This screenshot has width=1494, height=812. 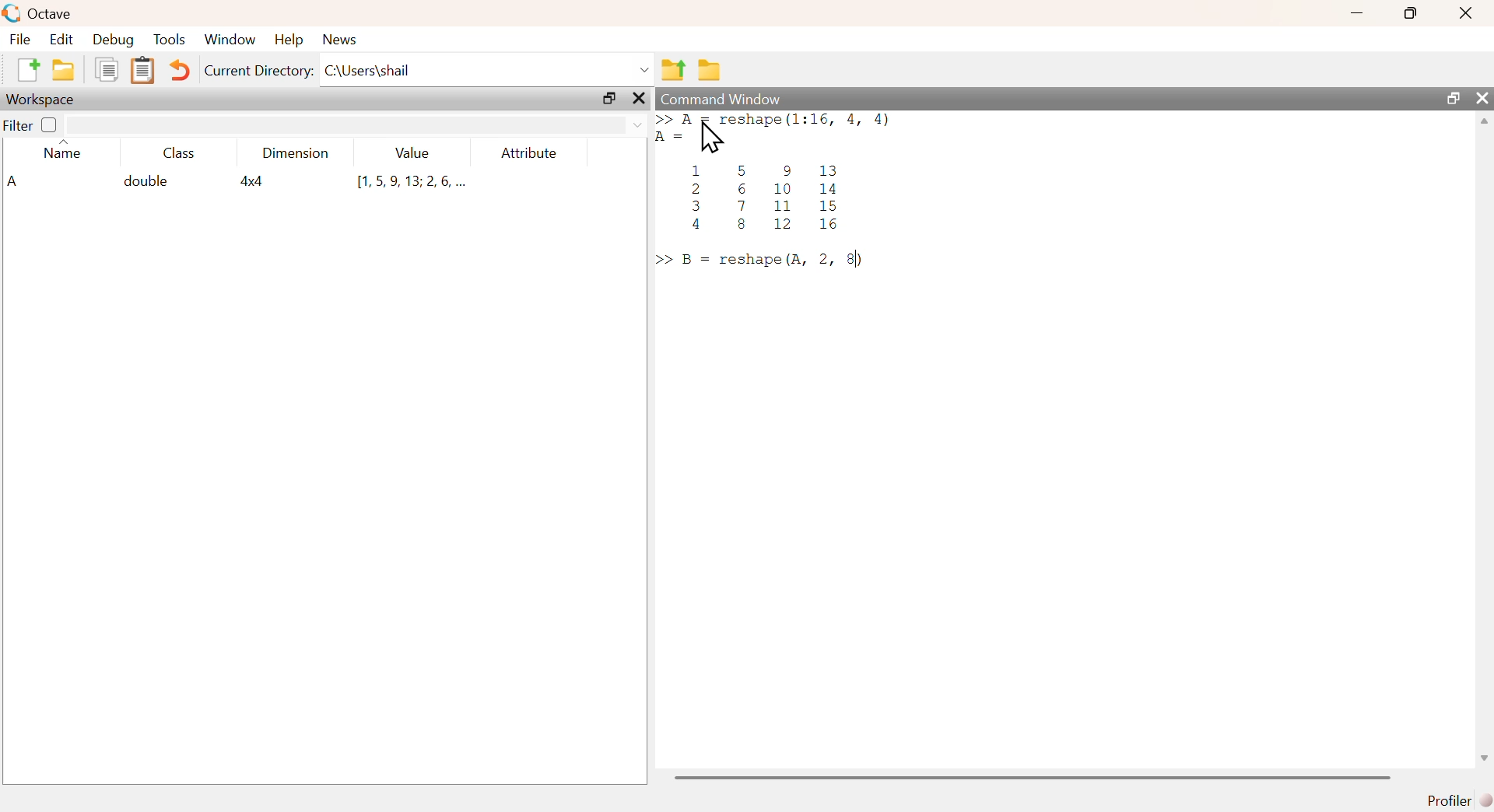 What do you see at coordinates (721, 96) in the screenshot?
I see `command window` at bounding box center [721, 96].